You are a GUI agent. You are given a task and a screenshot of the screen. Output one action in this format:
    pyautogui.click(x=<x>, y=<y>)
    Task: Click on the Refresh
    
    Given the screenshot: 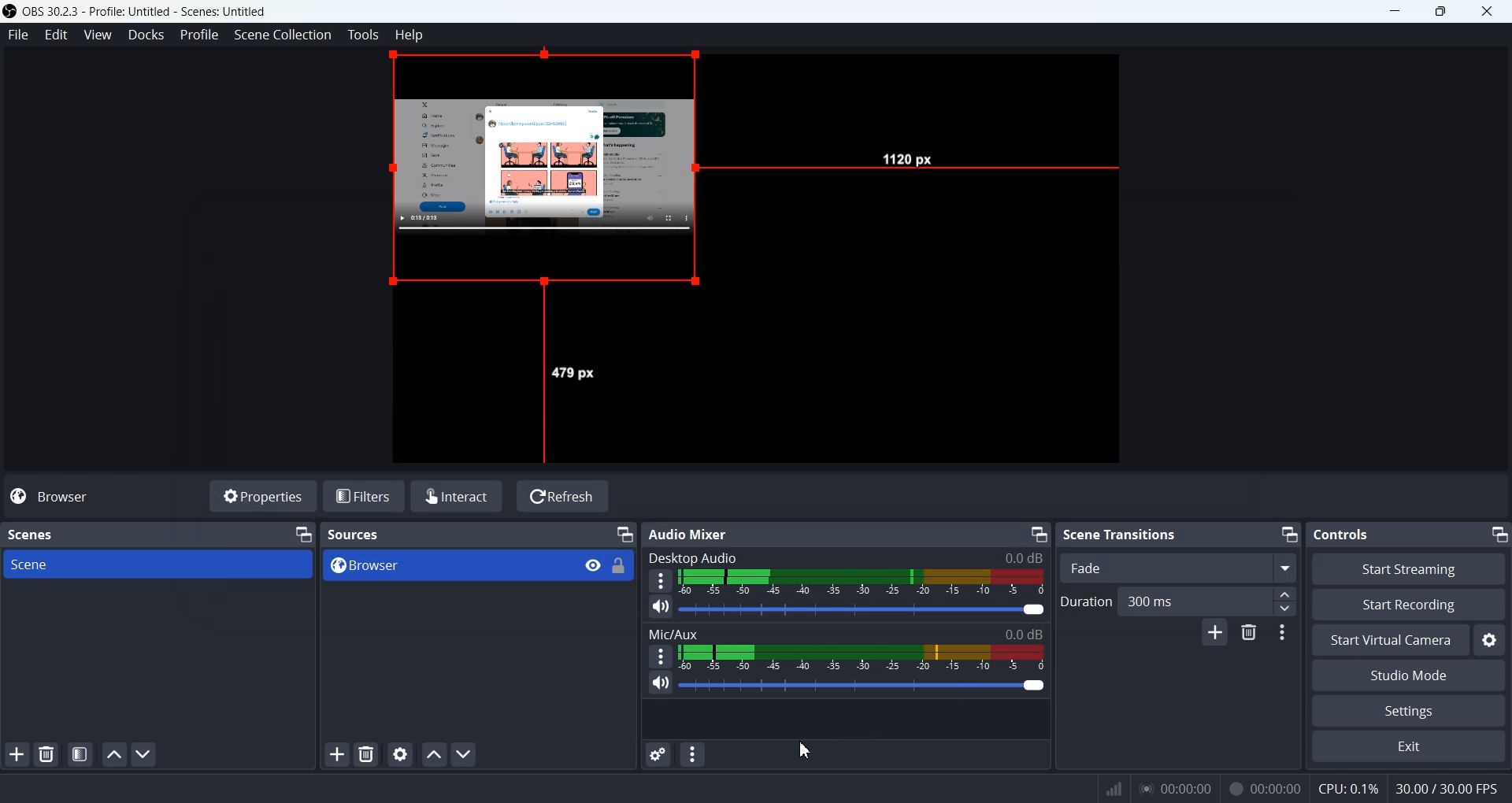 What is the action you would take?
    pyautogui.click(x=563, y=495)
    